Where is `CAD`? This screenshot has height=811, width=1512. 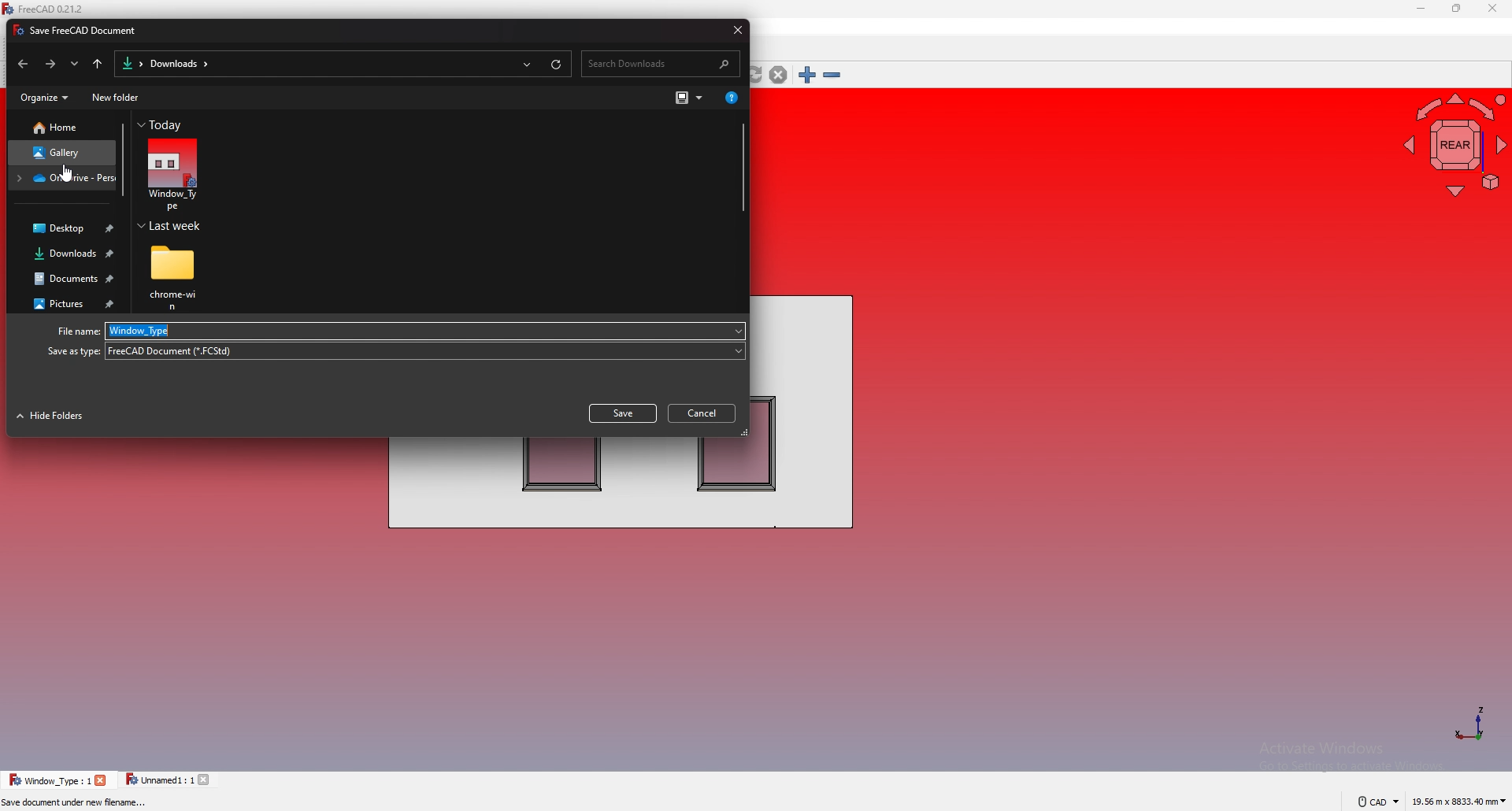 CAD is located at coordinates (1372, 801).